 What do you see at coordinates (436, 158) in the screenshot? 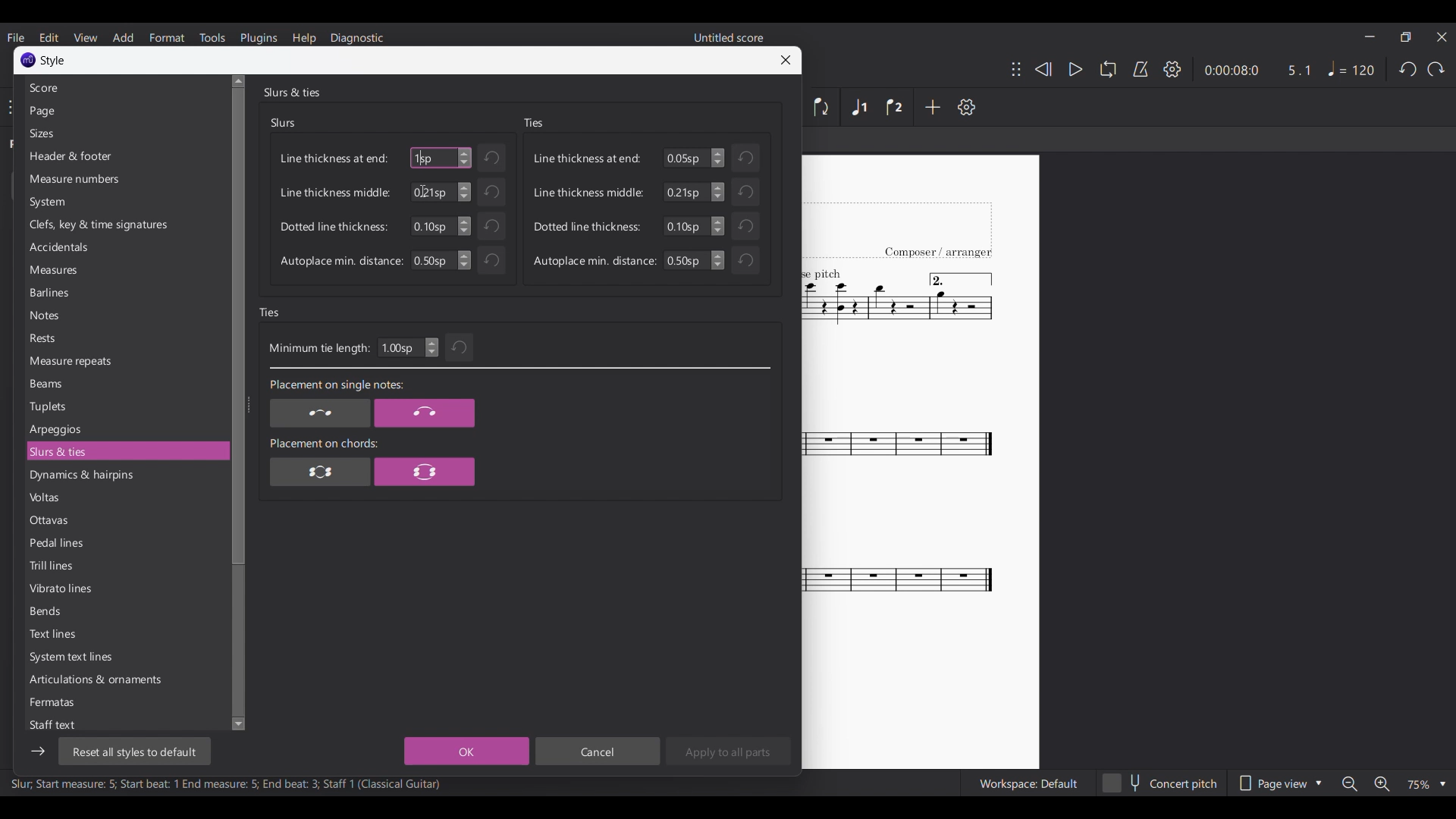
I see `Typing in` at bounding box center [436, 158].